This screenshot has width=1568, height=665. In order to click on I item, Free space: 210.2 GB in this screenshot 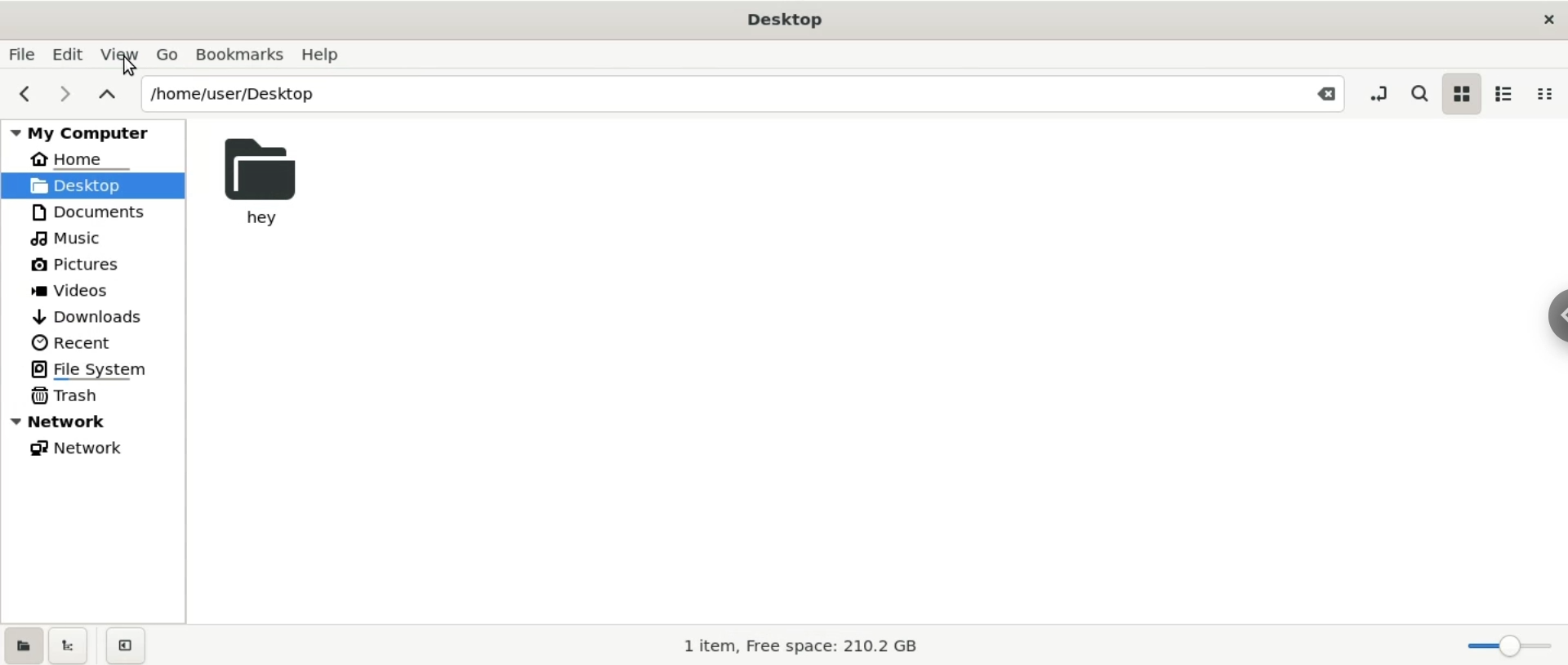, I will do `click(800, 647)`.